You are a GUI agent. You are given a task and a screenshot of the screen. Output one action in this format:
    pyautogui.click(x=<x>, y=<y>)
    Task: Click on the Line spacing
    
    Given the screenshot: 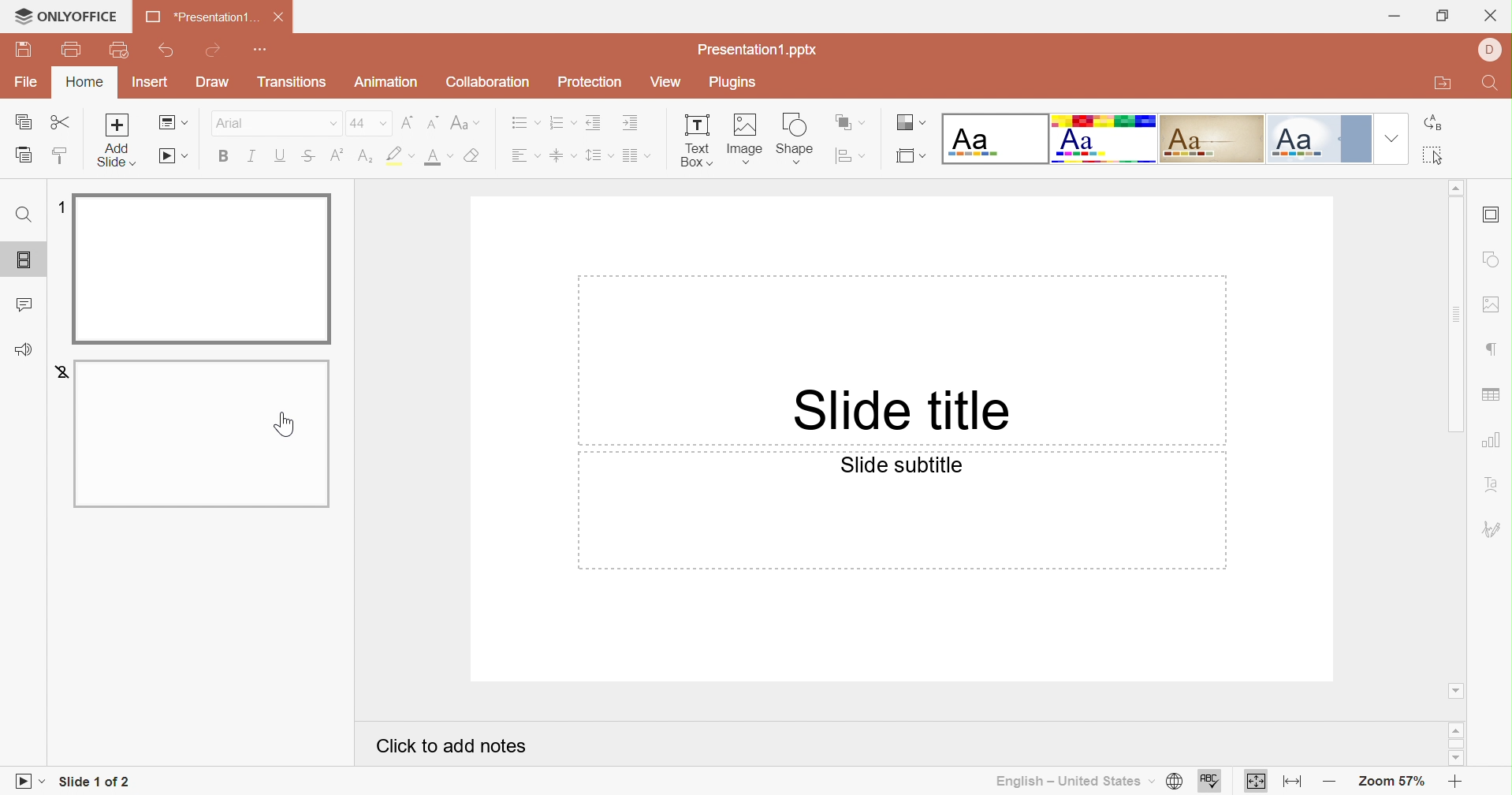 What is the action you would take?
    pyautogui.click(x=599, y=157)
    